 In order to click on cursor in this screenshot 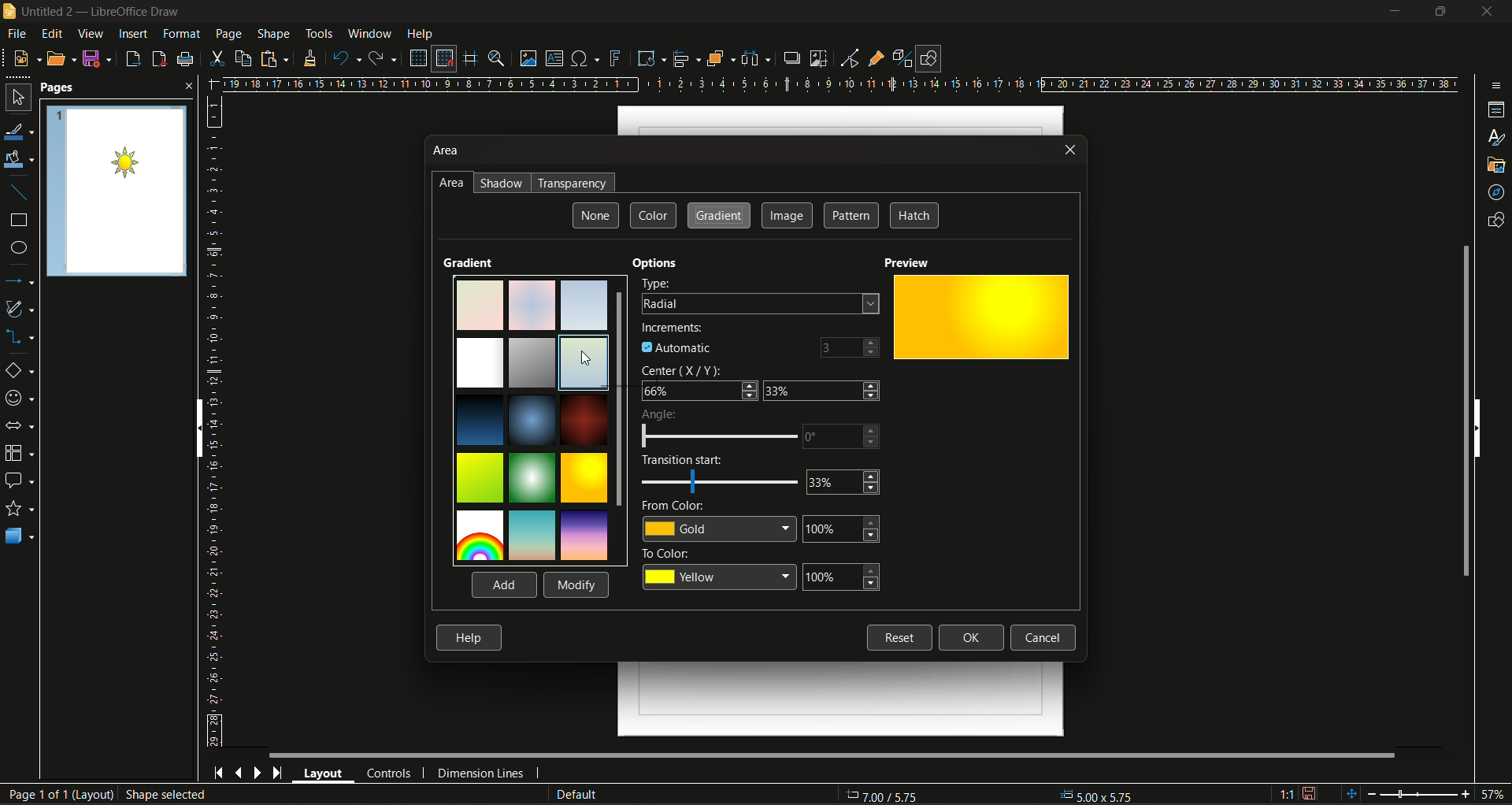, I will do `click(585, 363)`.